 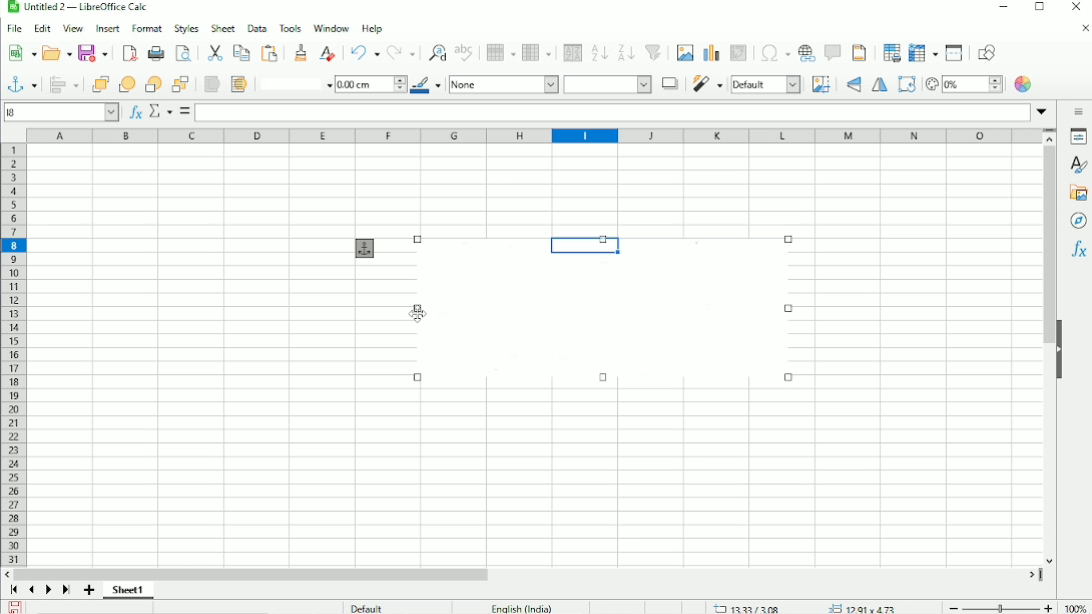 What do you see at coordinates (1079, 111) in the screenshot?
I see `Sidebar settings` at bounding box center [1079, 111].